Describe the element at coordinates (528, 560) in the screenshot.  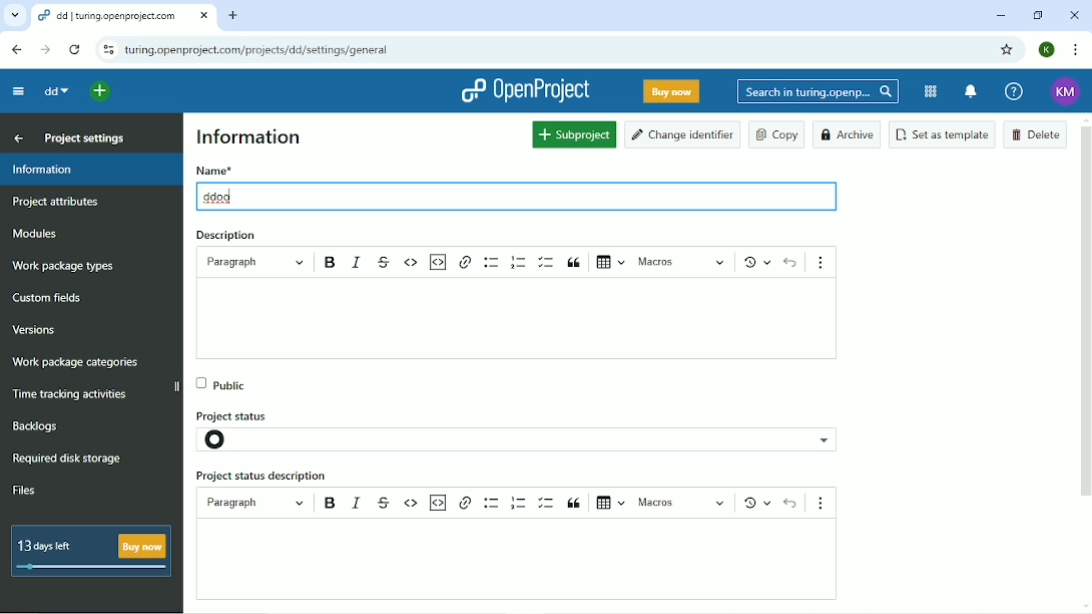
I see `text boc` at that location.